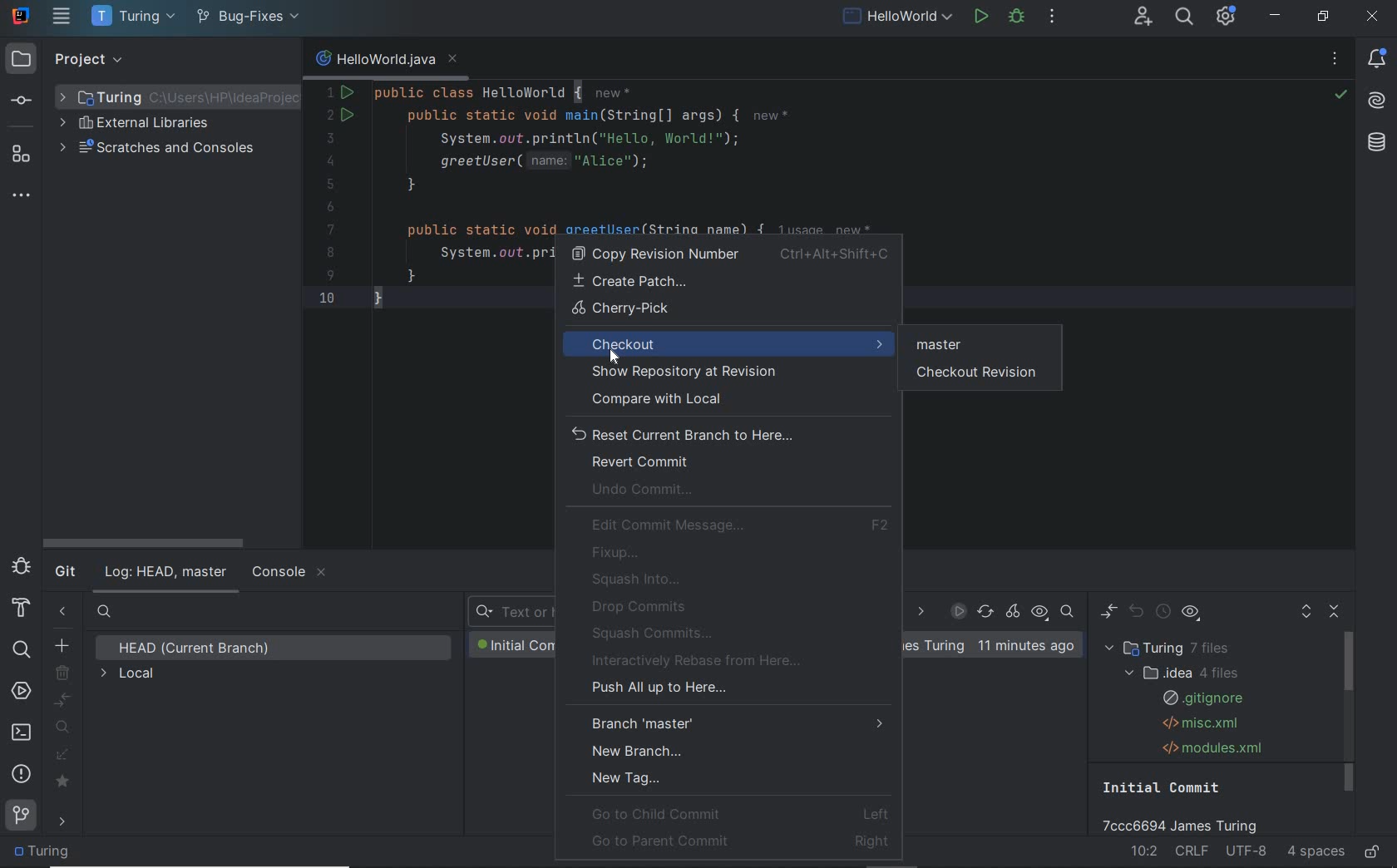 The height and width of the screenshot is (868, 1397). I want to click on hide git branches, so click(63, 614).